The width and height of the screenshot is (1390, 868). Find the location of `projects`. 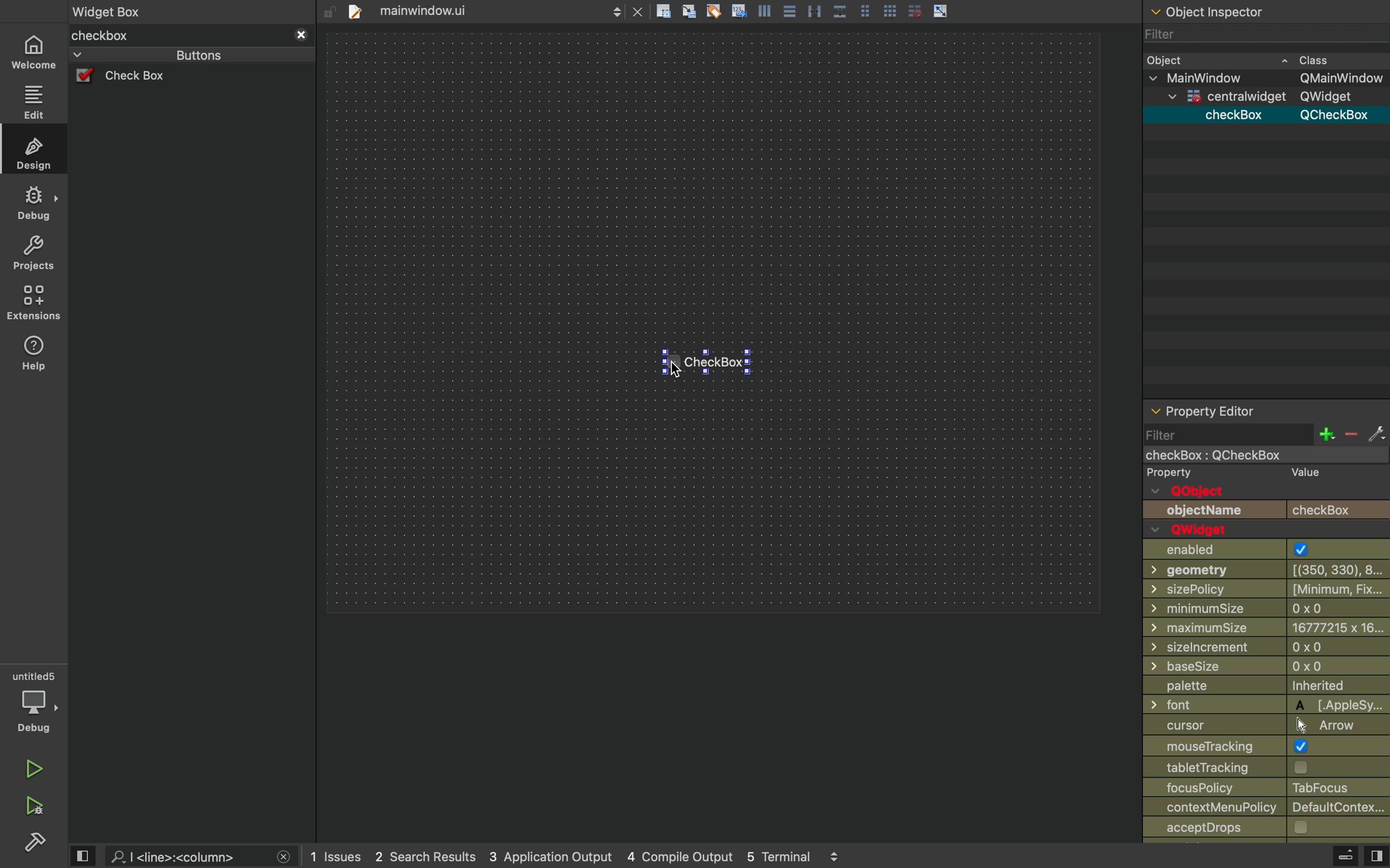

projects is located at coordinates (31, 254).